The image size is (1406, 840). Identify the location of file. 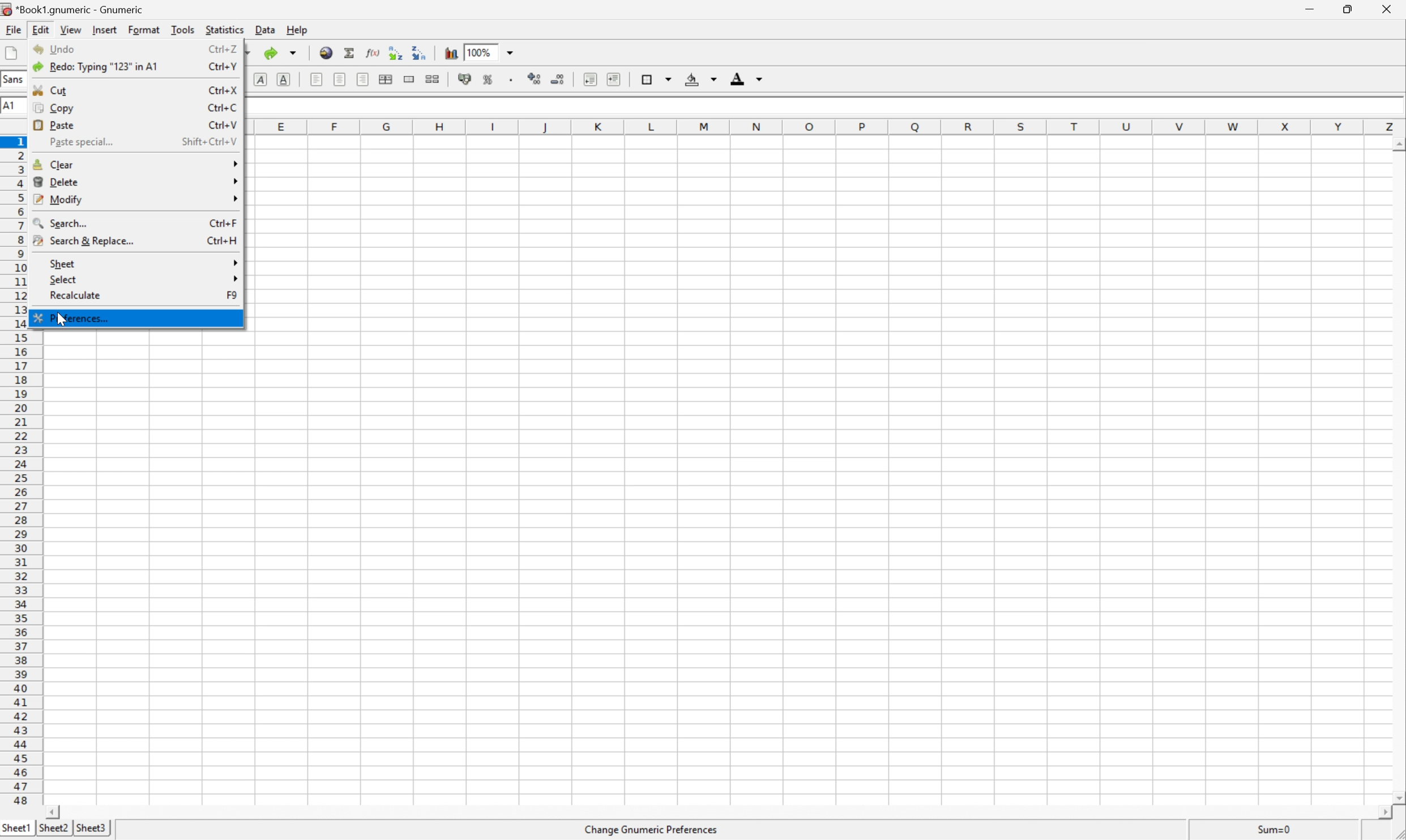
(12, 29).